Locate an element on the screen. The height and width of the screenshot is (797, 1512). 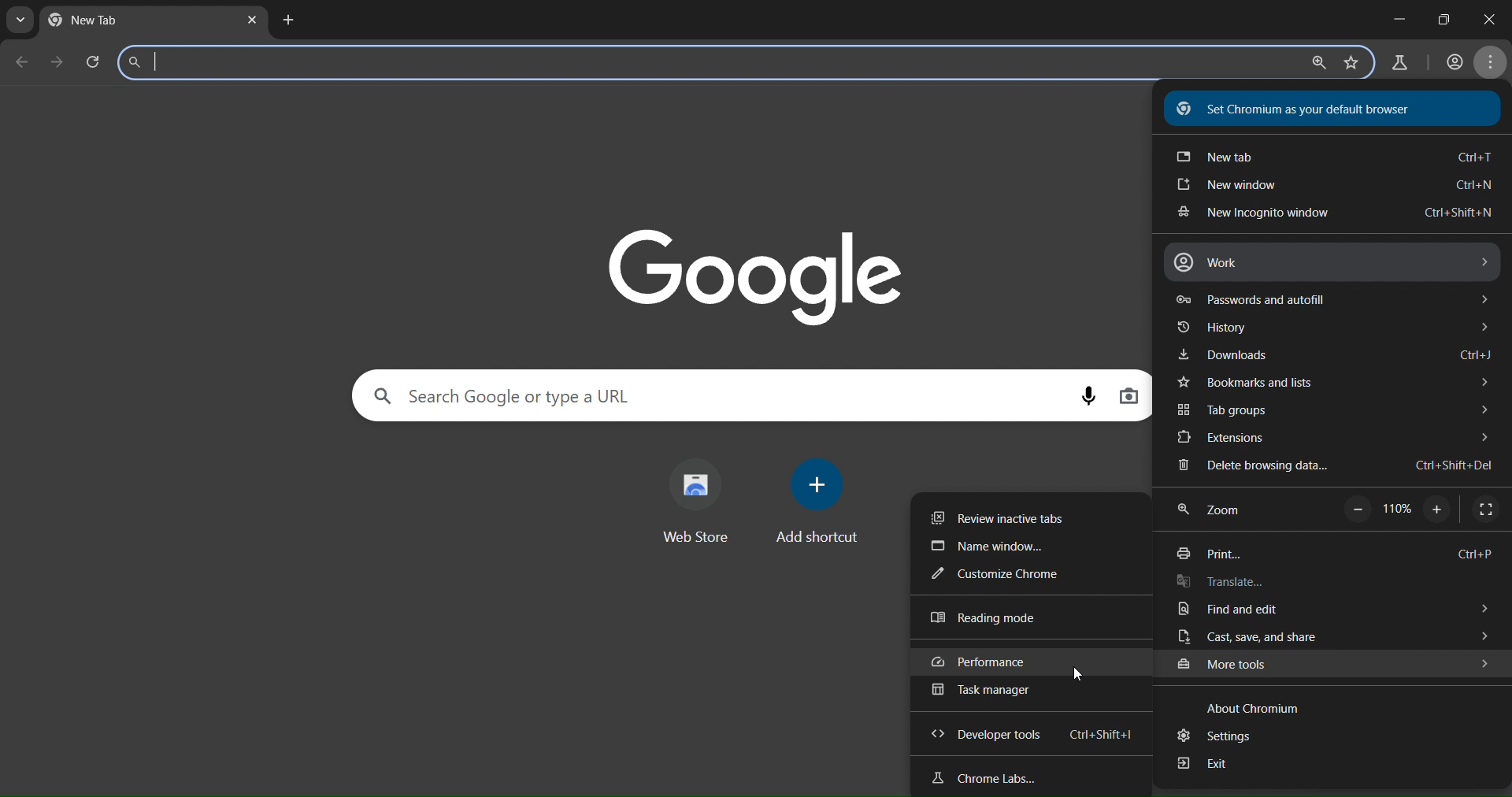
cursor is located at coordinates (1080, 675).